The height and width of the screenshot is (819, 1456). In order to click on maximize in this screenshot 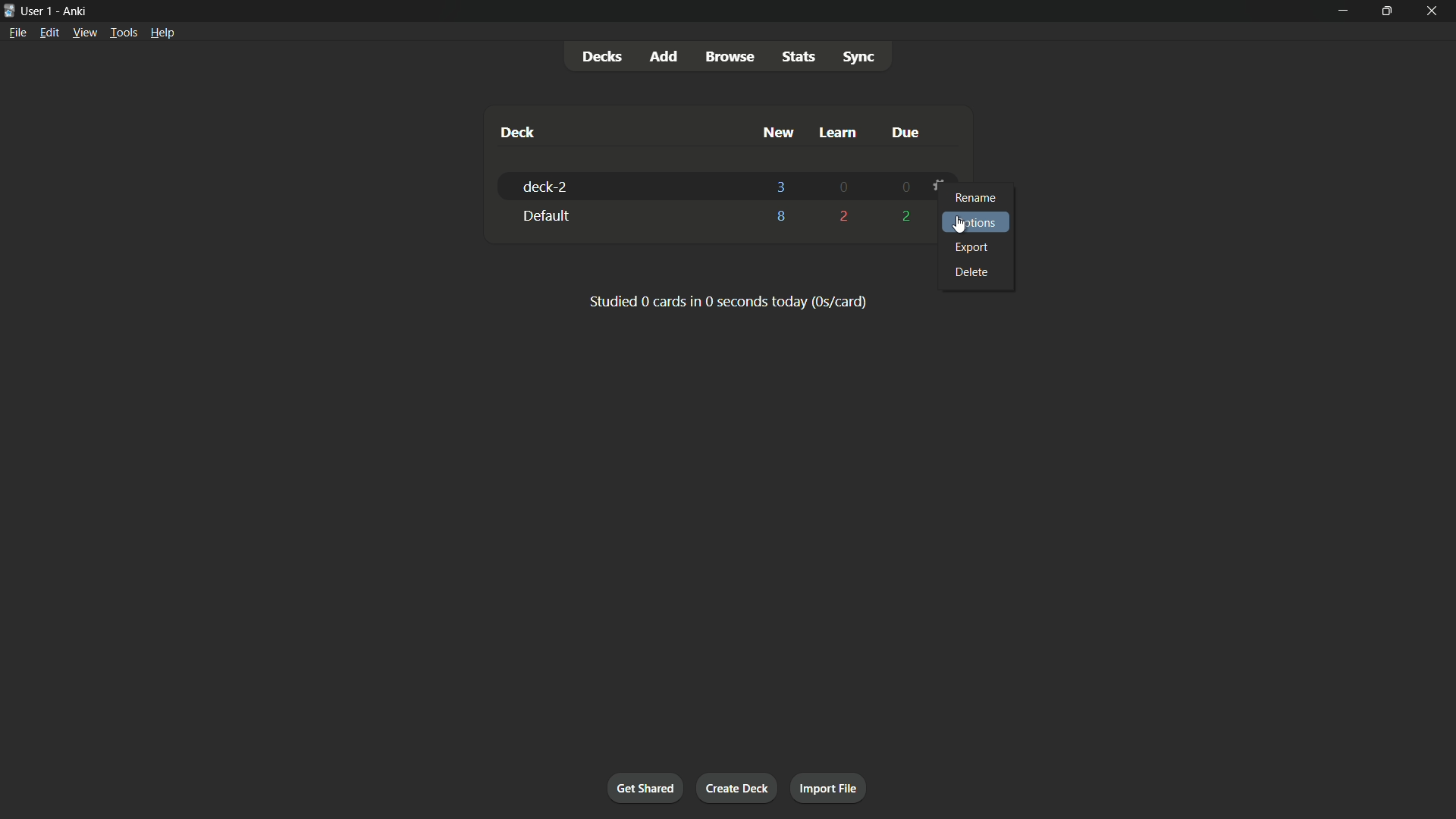, I will do `click(1389, 9)`.